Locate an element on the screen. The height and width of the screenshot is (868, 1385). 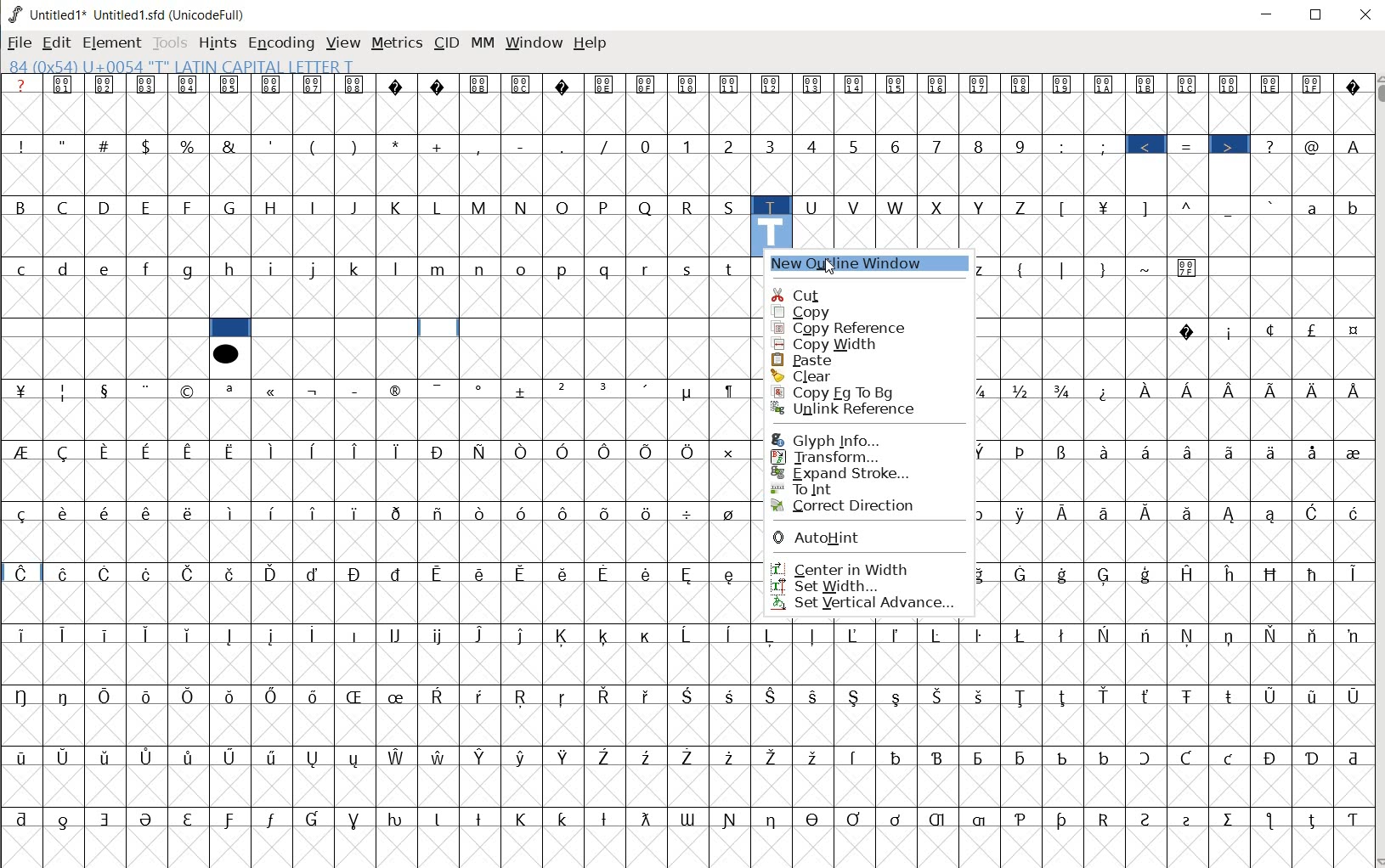
Symbol is located at coordinates (605, 85).